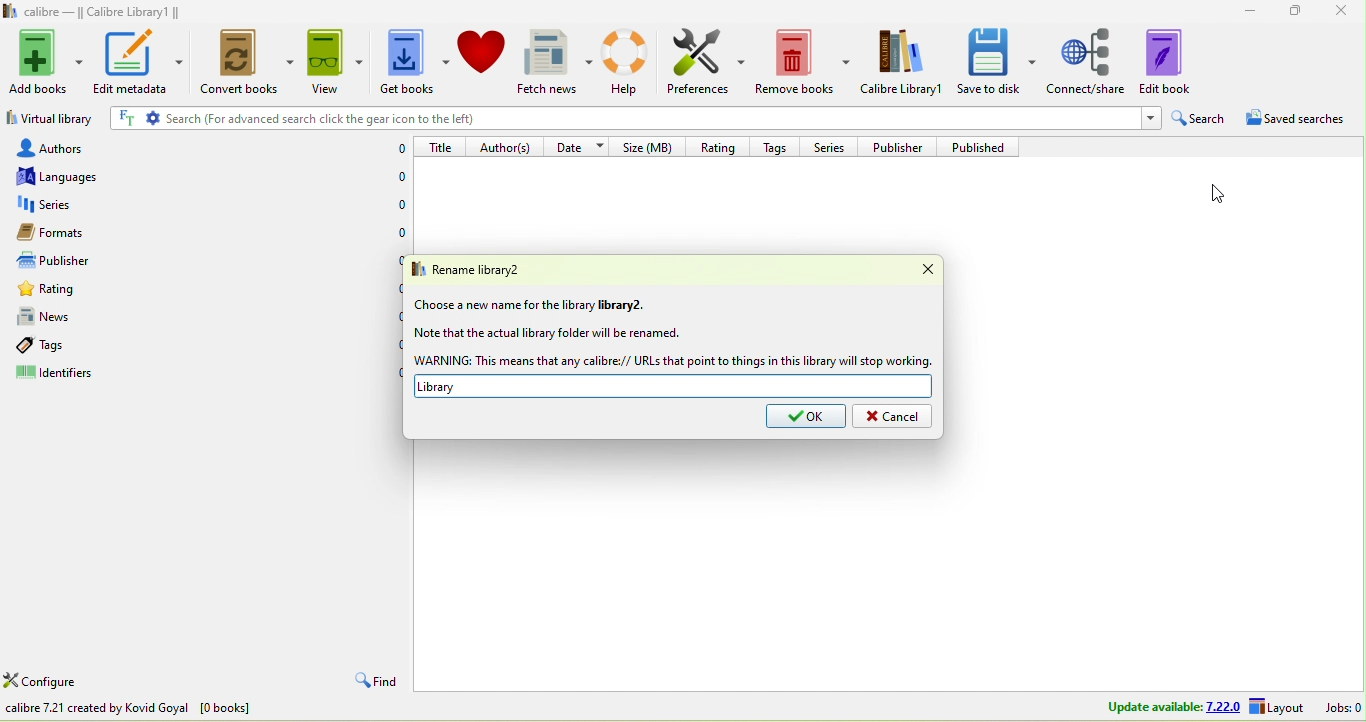 The height and width of the screenshot is (722, 1366). I want to click on choose a new name for the library 2, so click(532, 305).